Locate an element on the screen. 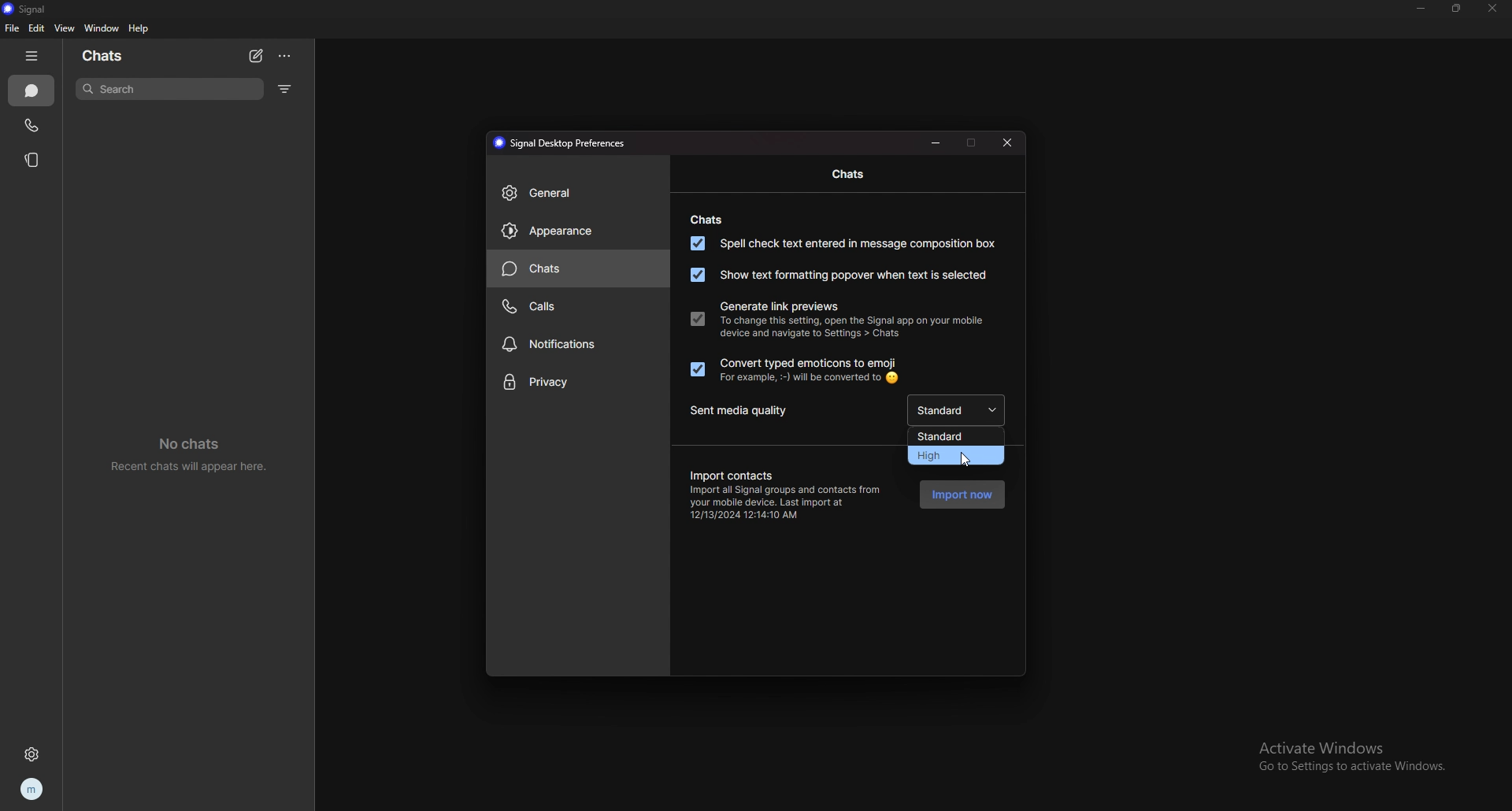 This screenshot has width=1512, height=811. Import all Signal groups and contacts from
your mobile device. Last import at
12/13/2024 12:14:10 AM is located at coordinates (790, 503).